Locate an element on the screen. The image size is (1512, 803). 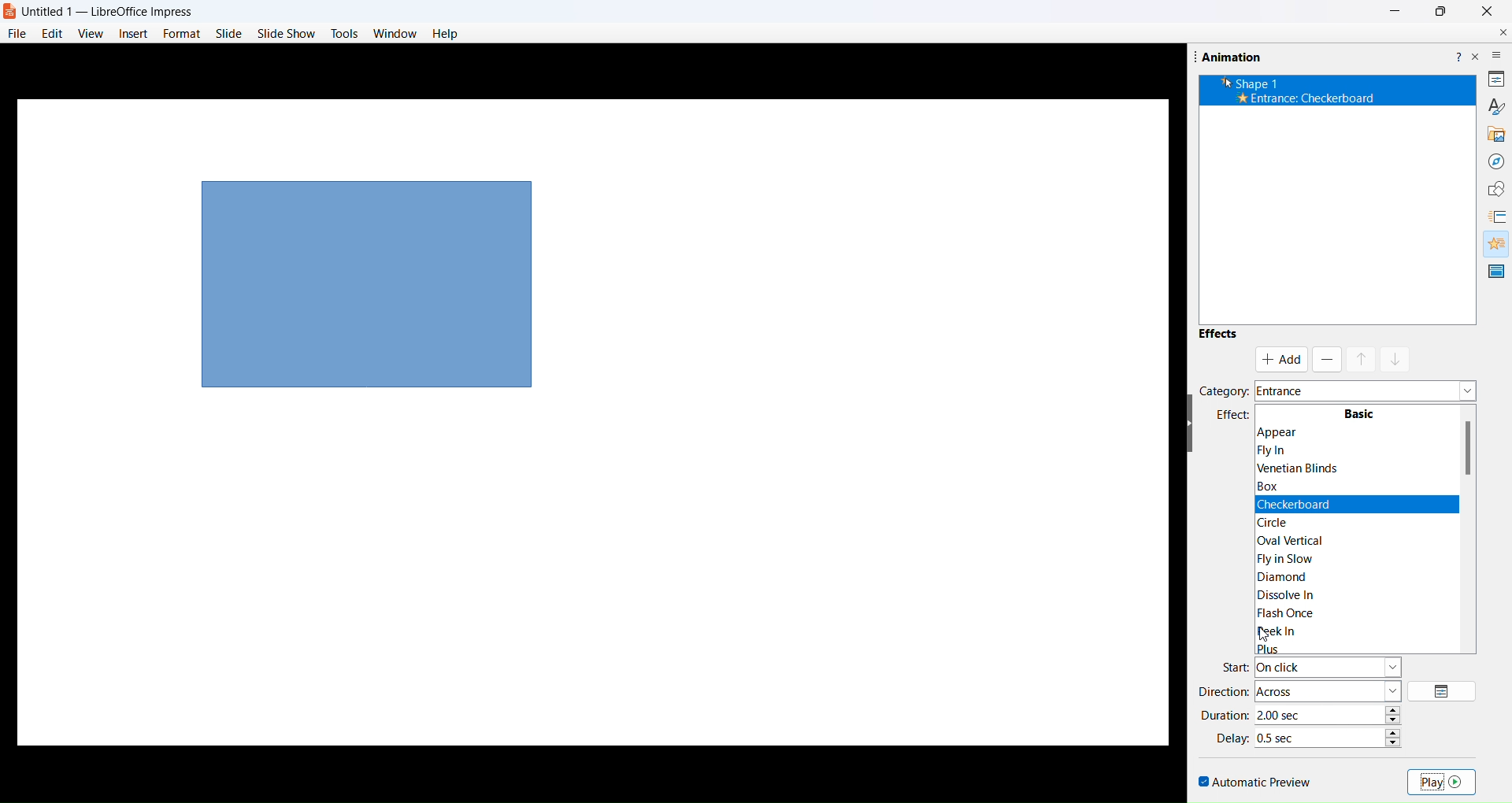
venetian blinds is located at coordinates (1305, 468).